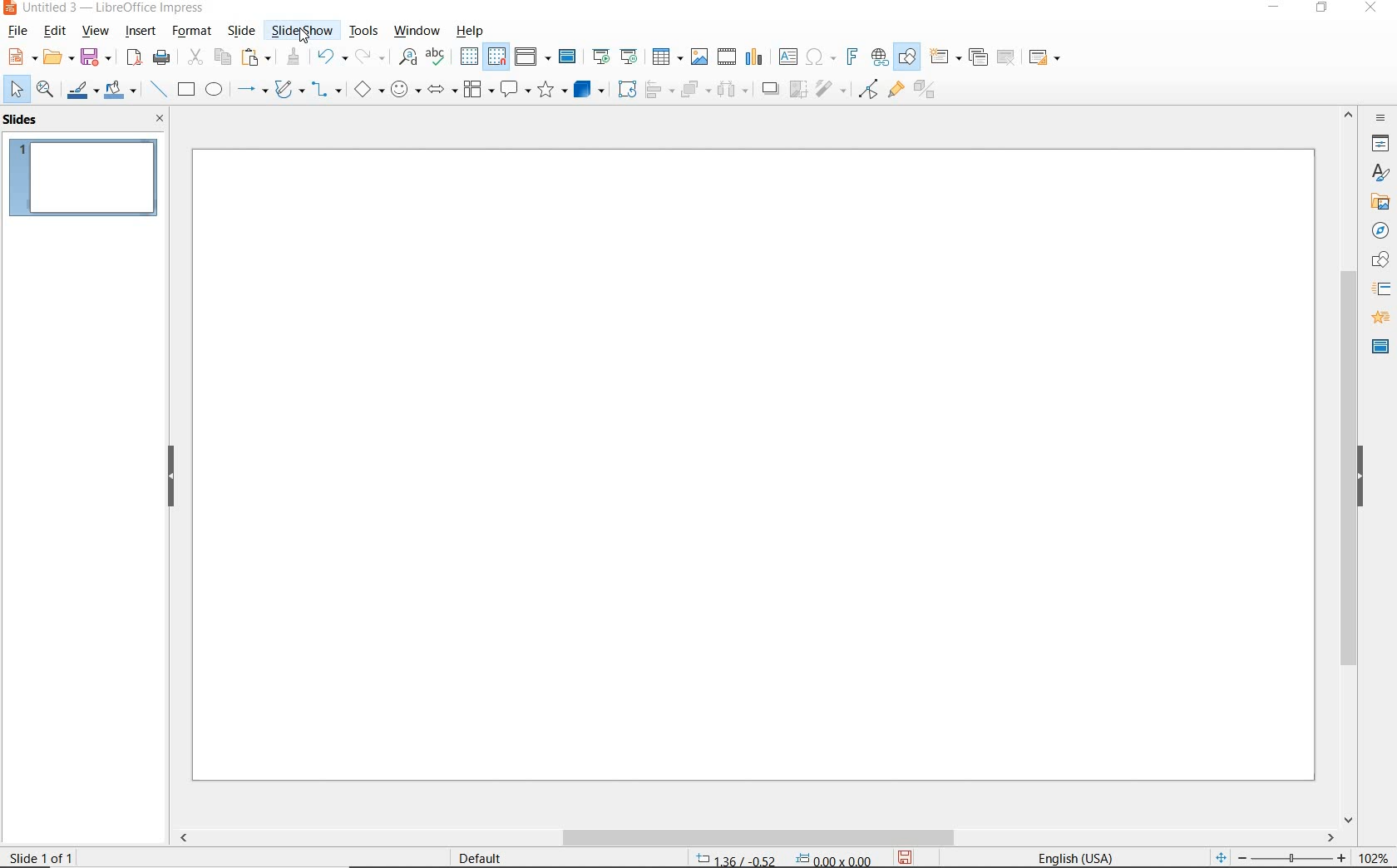 Image resolution: width=1397 pixels, height=868 pixels. I want to click on GALLERY, so click(1380, 201).